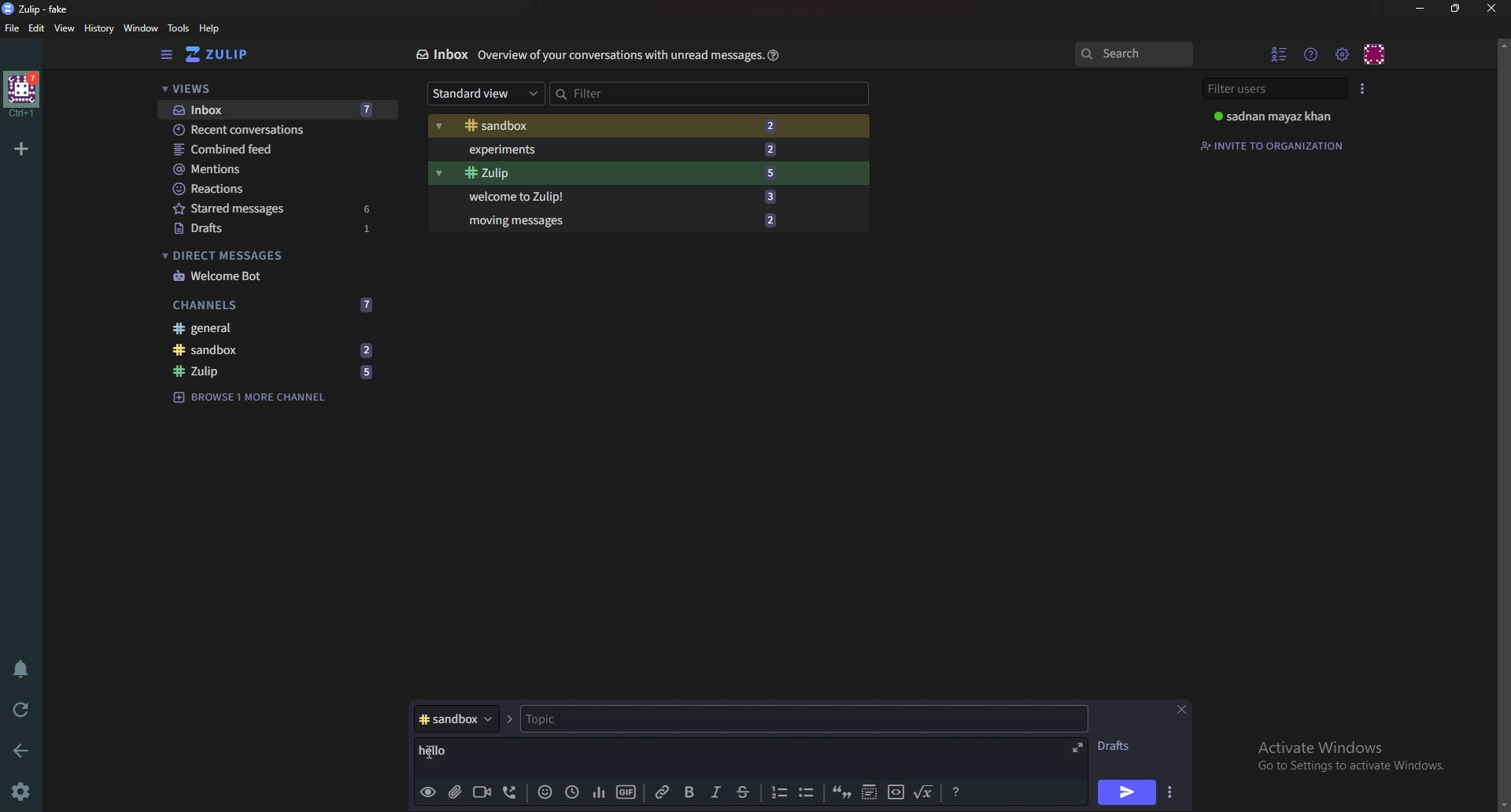 The width and height of the screenshot is (1511, 812). What do you see at coordinates (745, 793) in the screenshot?
I see `Strike through` at bounding box center [745, 793].